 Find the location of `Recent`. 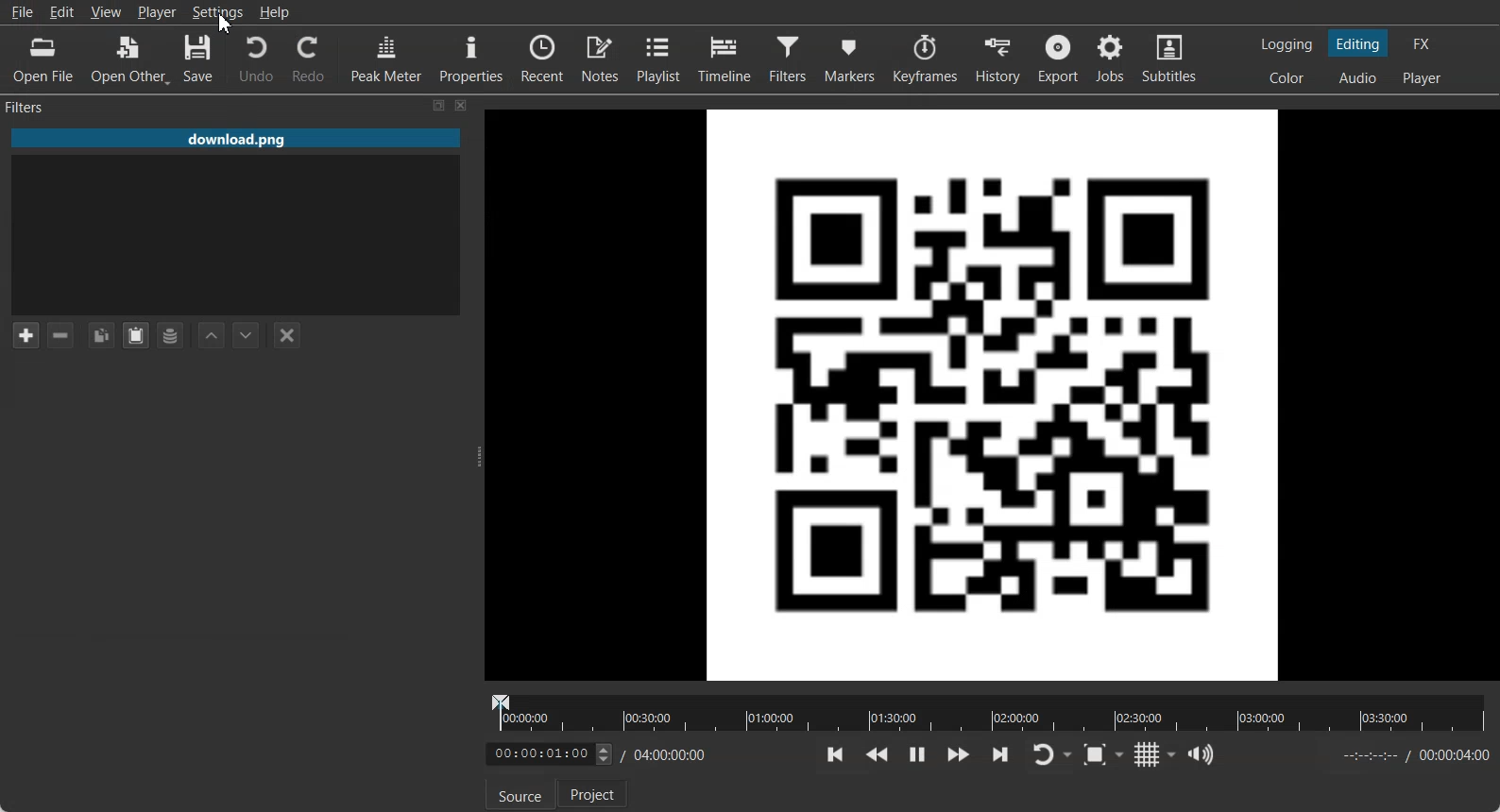

Recent is located at coordinates (542, 56).